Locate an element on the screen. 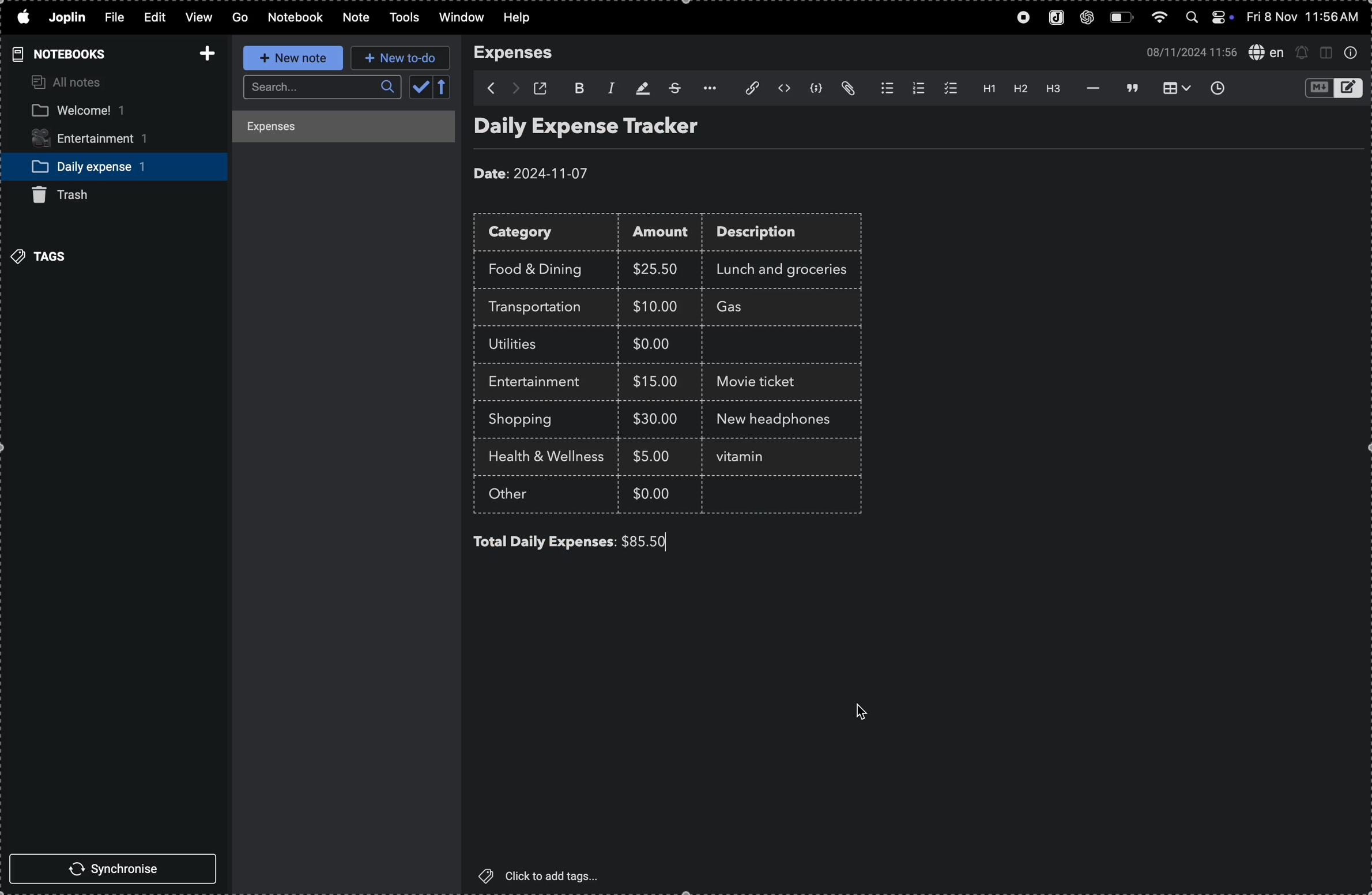  $10.00 is located at coordinates (655, 306).